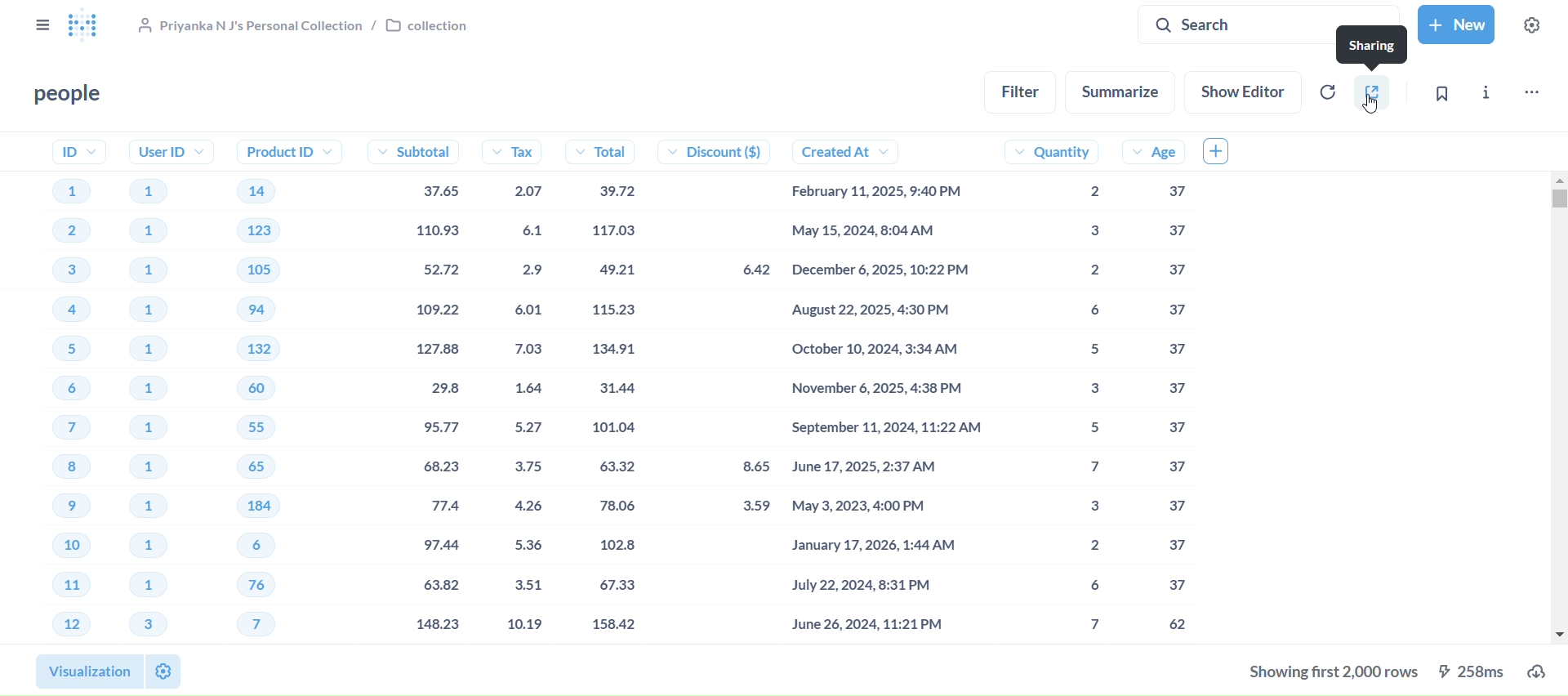 The width and height of the screenshot is (1568, 696). I want to click on summarize, so click(1127, 91).